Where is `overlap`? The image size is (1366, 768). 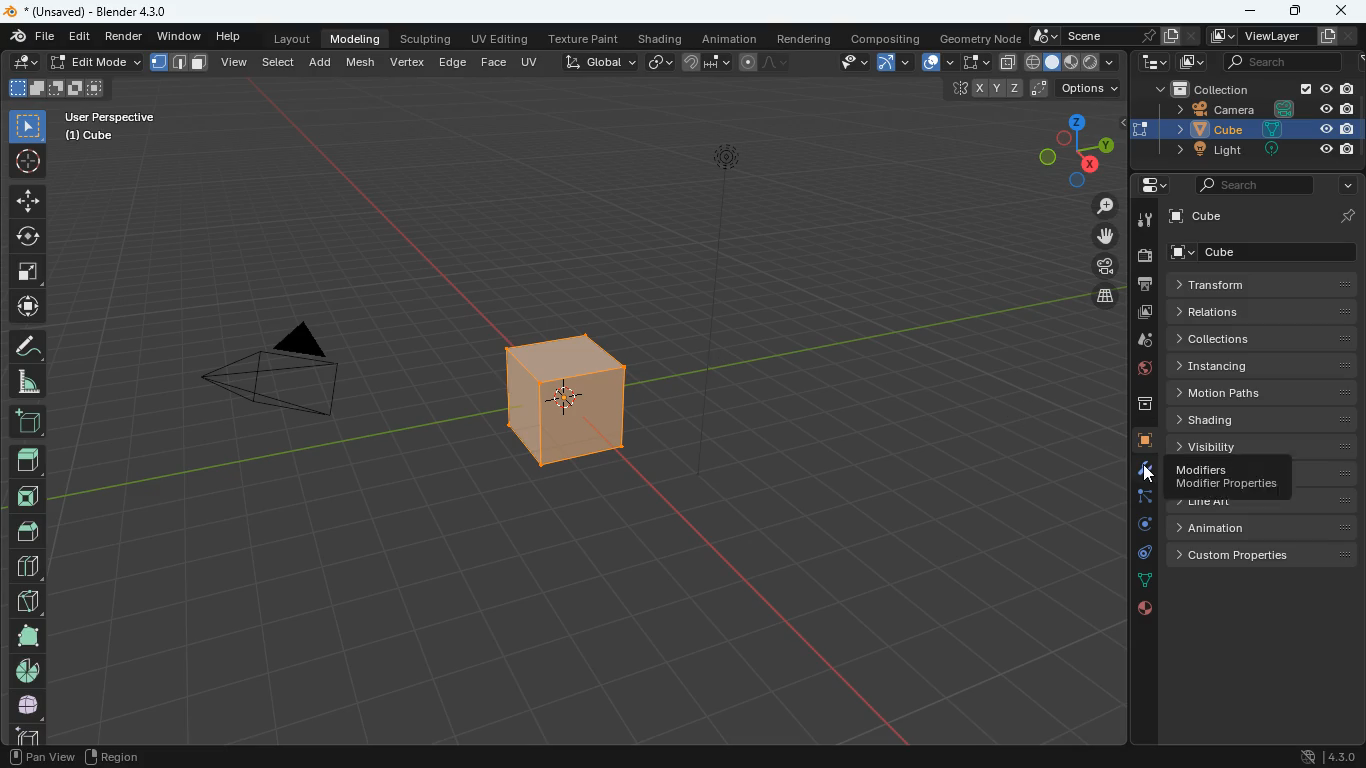
overlap is located at coordinates (930, 61).